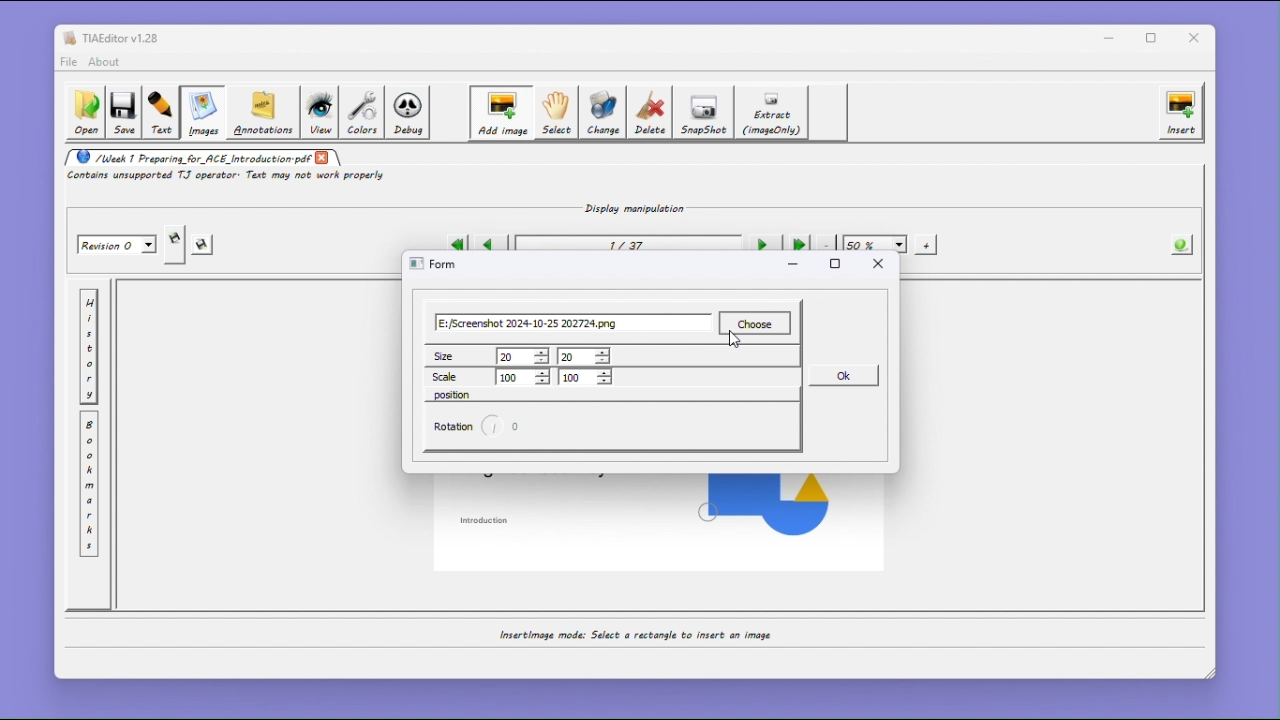 Image resolution: width=1280 pixels, height=720 pixels. What do you see at coordinates (261, 112) in the screenshot?
I see `Annotations ` at bounding box center [261, 112].